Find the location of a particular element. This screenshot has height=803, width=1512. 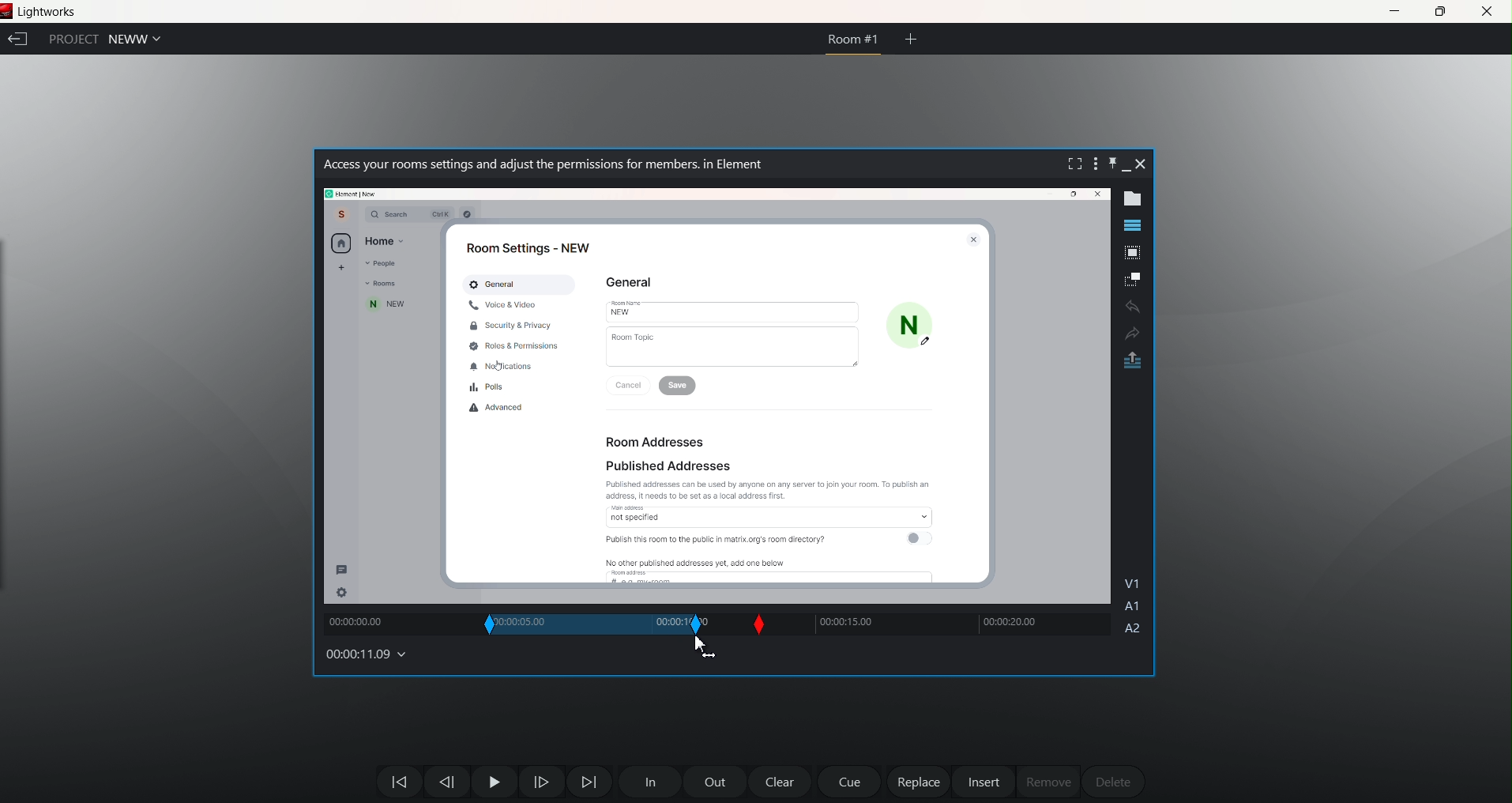

track is located at coordinates (396, 624).